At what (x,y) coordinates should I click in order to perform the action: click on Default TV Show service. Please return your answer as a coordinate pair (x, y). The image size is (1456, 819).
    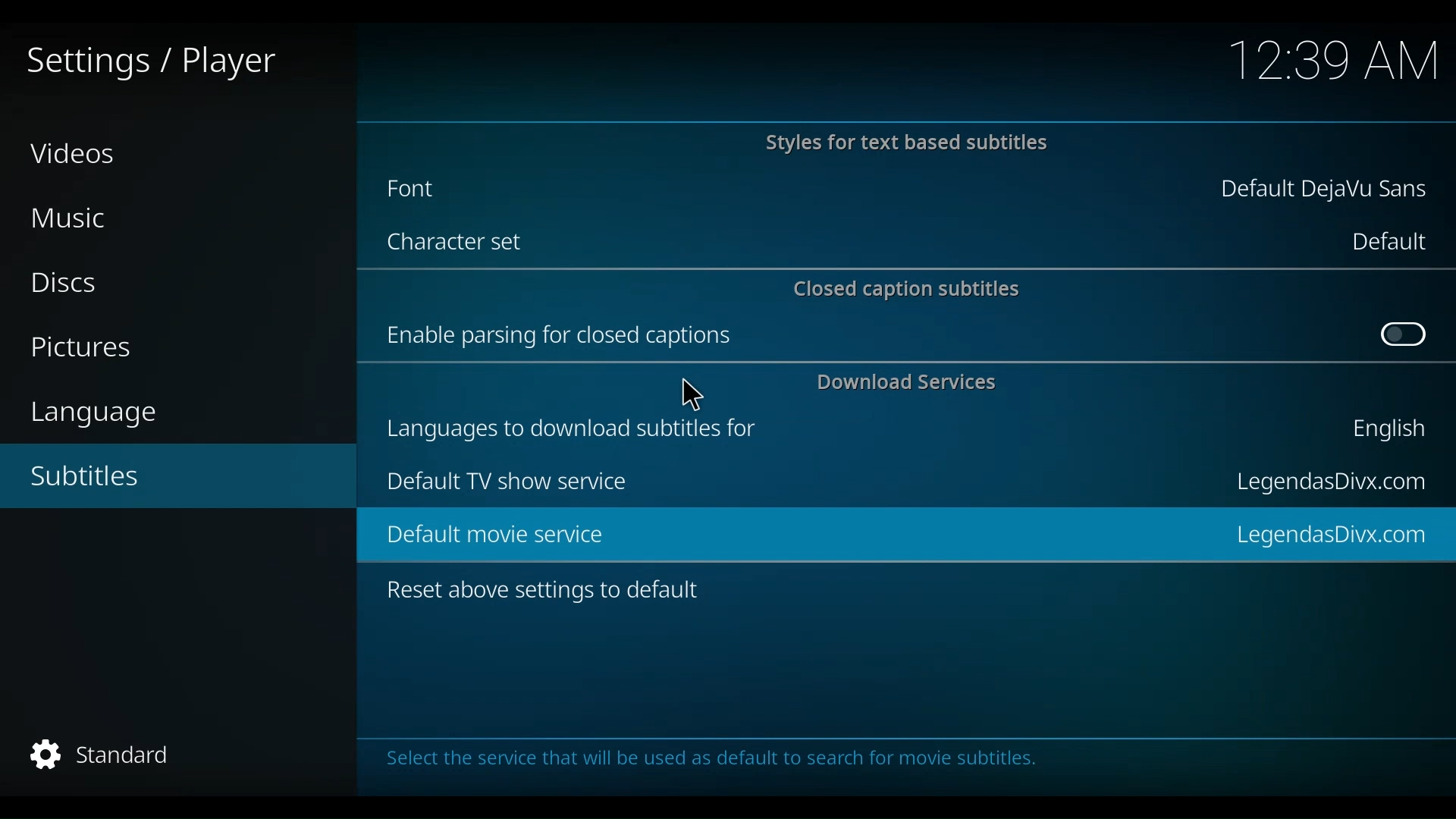
    Looking at the image, I should click on (506, 482).